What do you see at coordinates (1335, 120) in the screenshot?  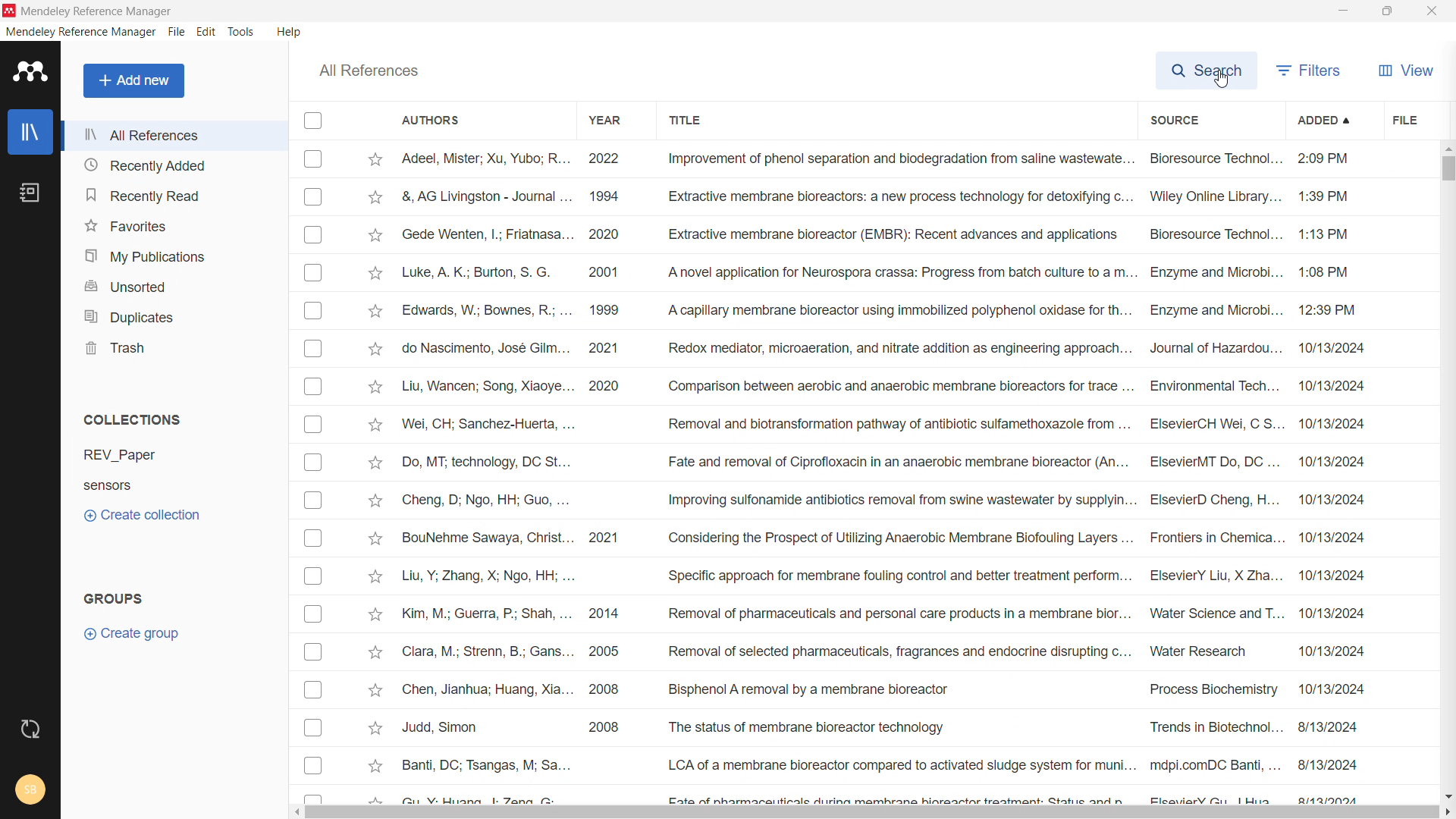 I see `added` at bounding box center [1335, 120].